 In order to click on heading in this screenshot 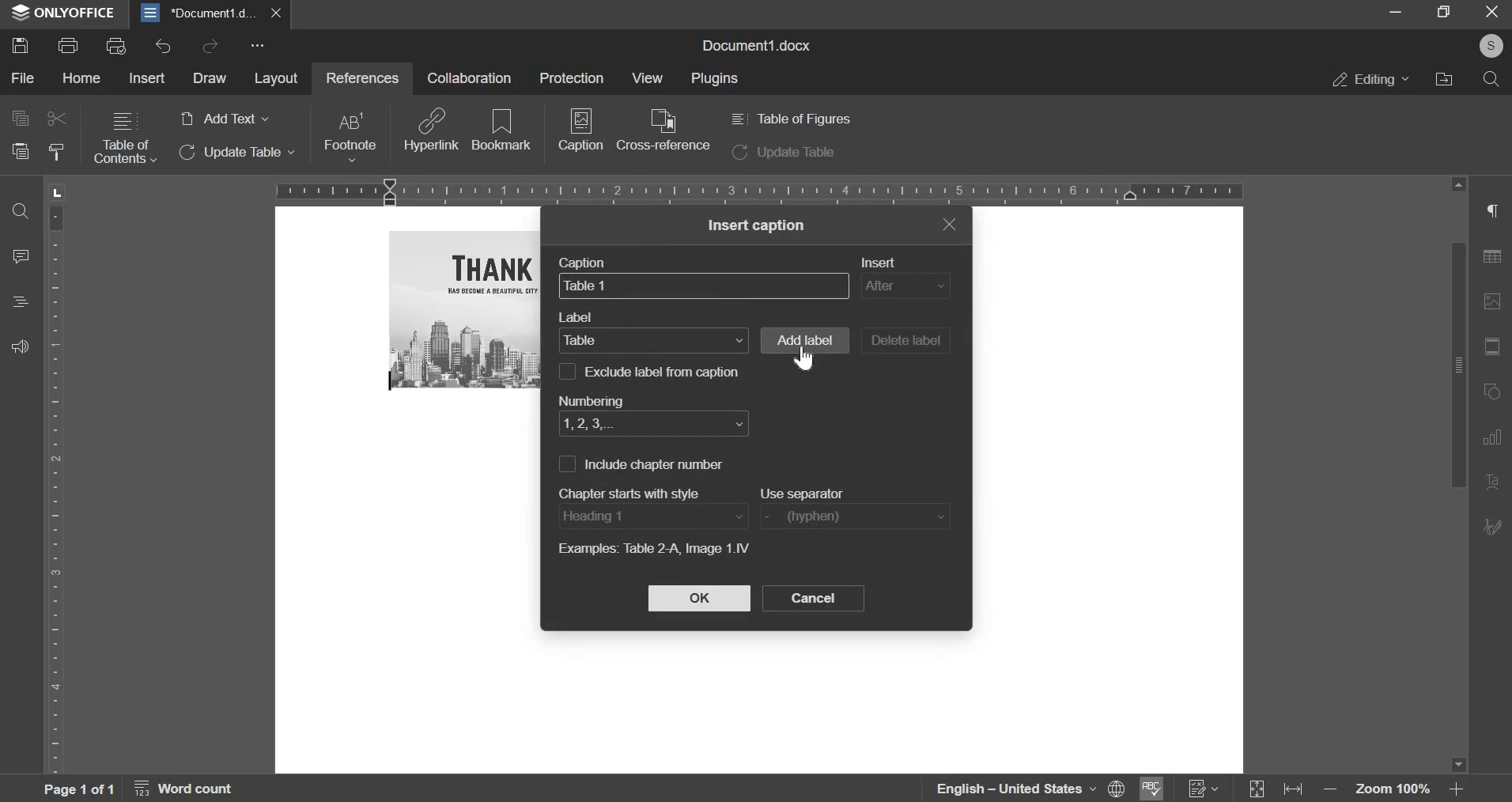, I will do `click(652, 516)`.